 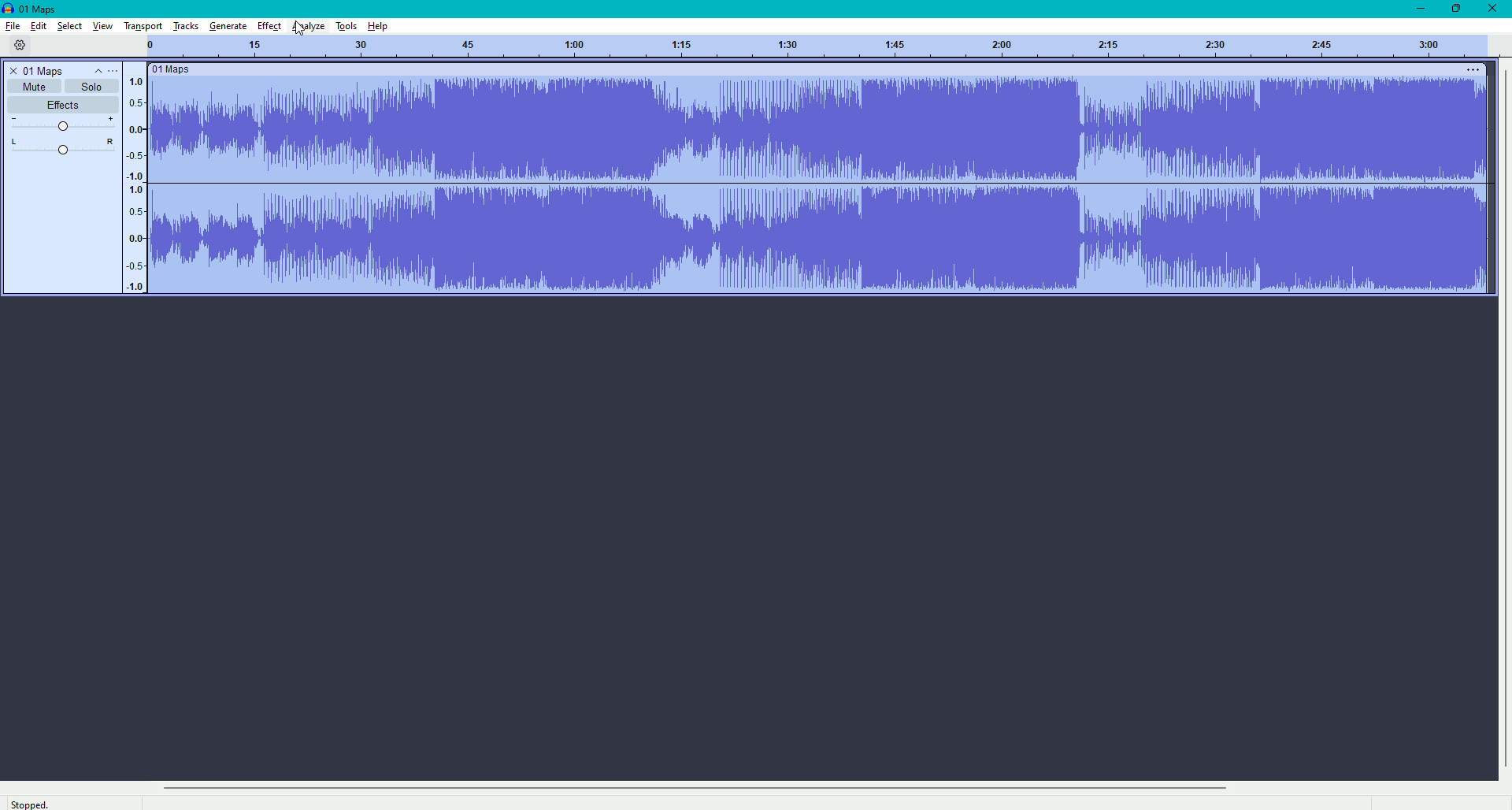 I want to click on Analyze, so click(x=306, y=26).